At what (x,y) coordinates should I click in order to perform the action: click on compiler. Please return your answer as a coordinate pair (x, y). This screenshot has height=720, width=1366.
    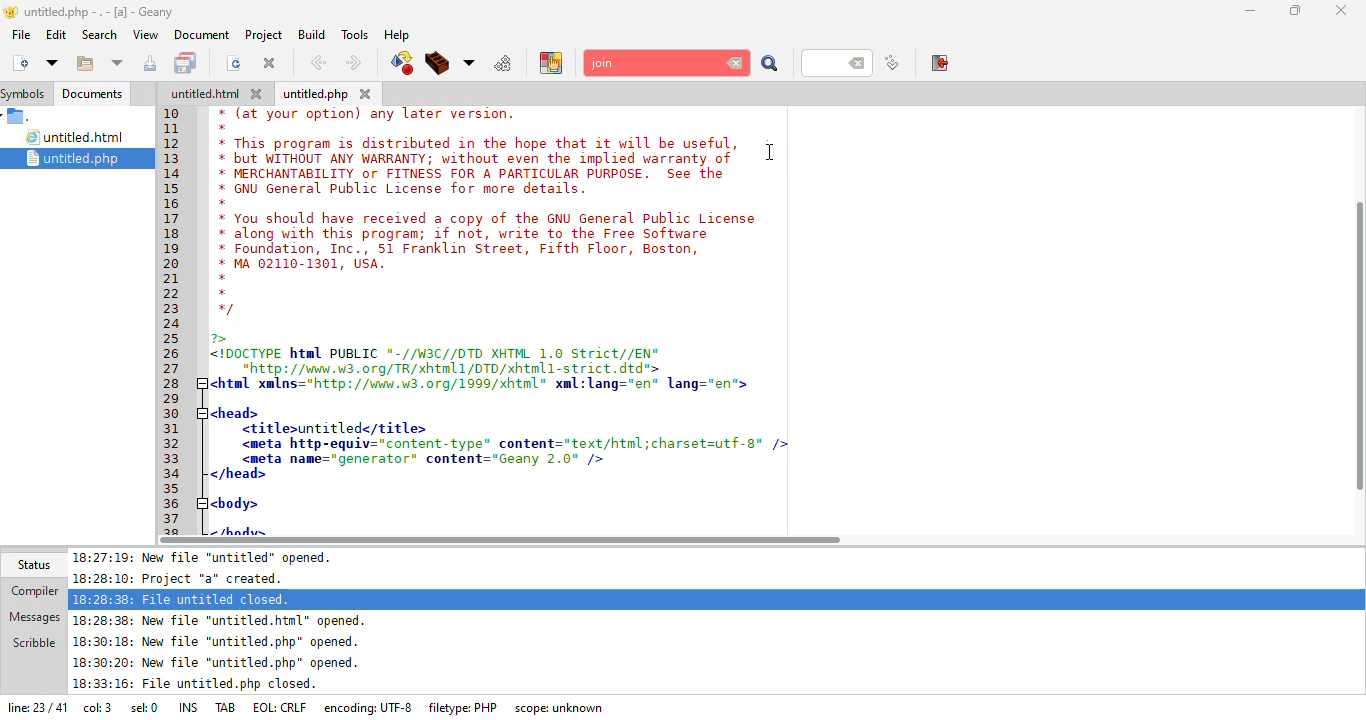
    Looking at the image, I should click on (30, 592).